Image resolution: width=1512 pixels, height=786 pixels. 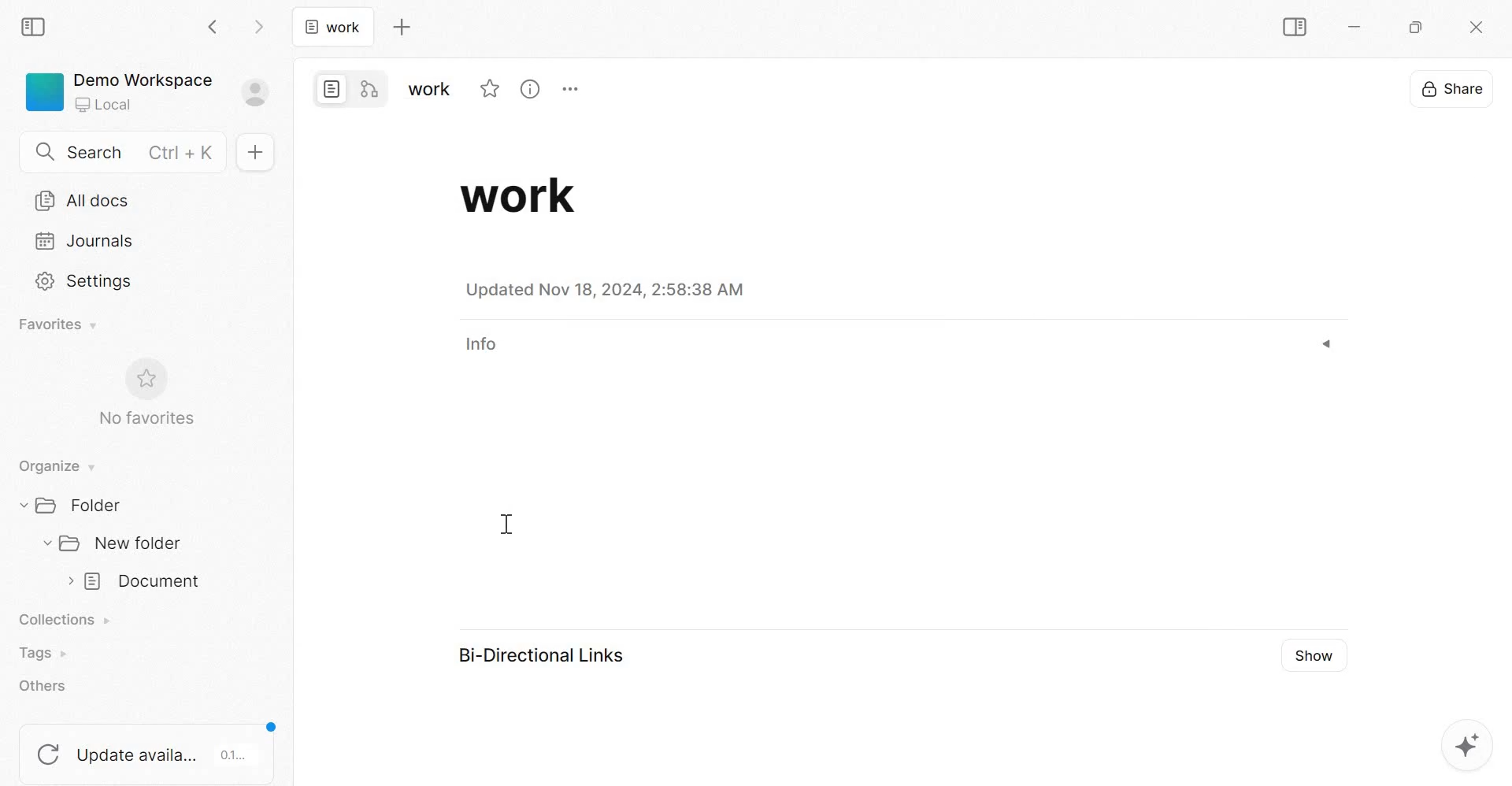 I want to click on Settings, so click(x=86, y=280).